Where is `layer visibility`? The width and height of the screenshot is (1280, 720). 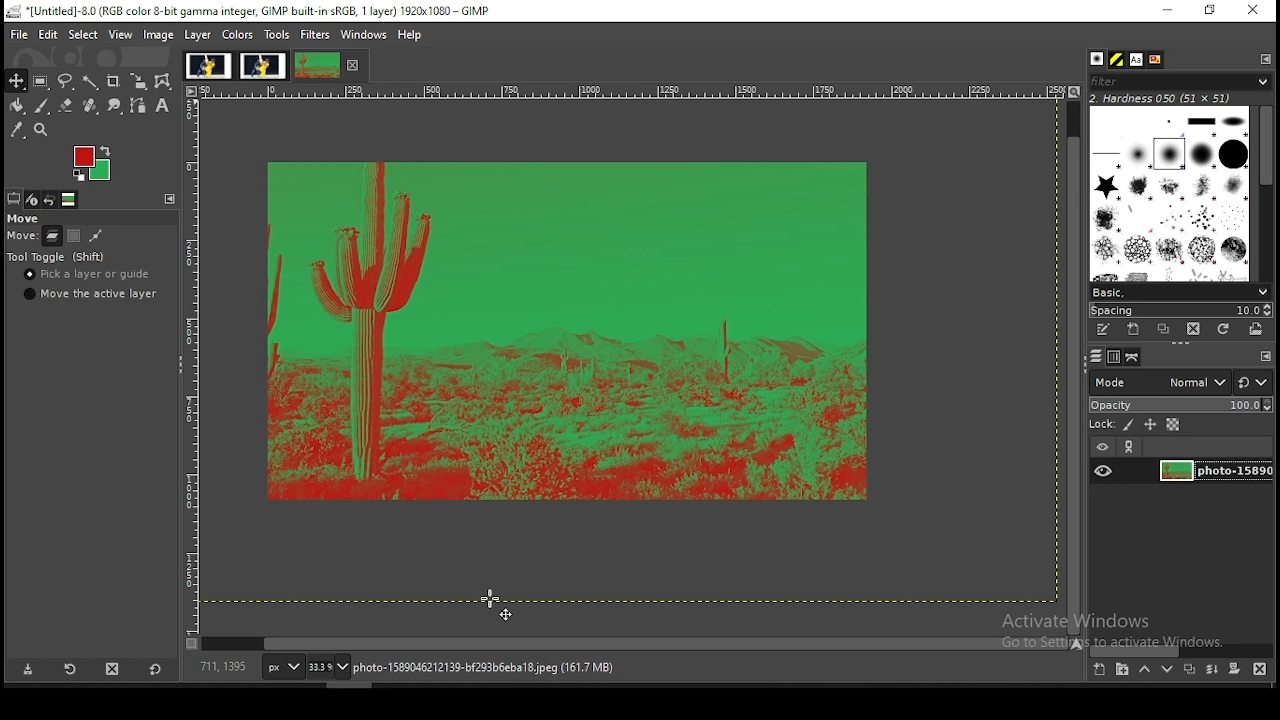 layer visibility is located at coordinates (1101, 448).